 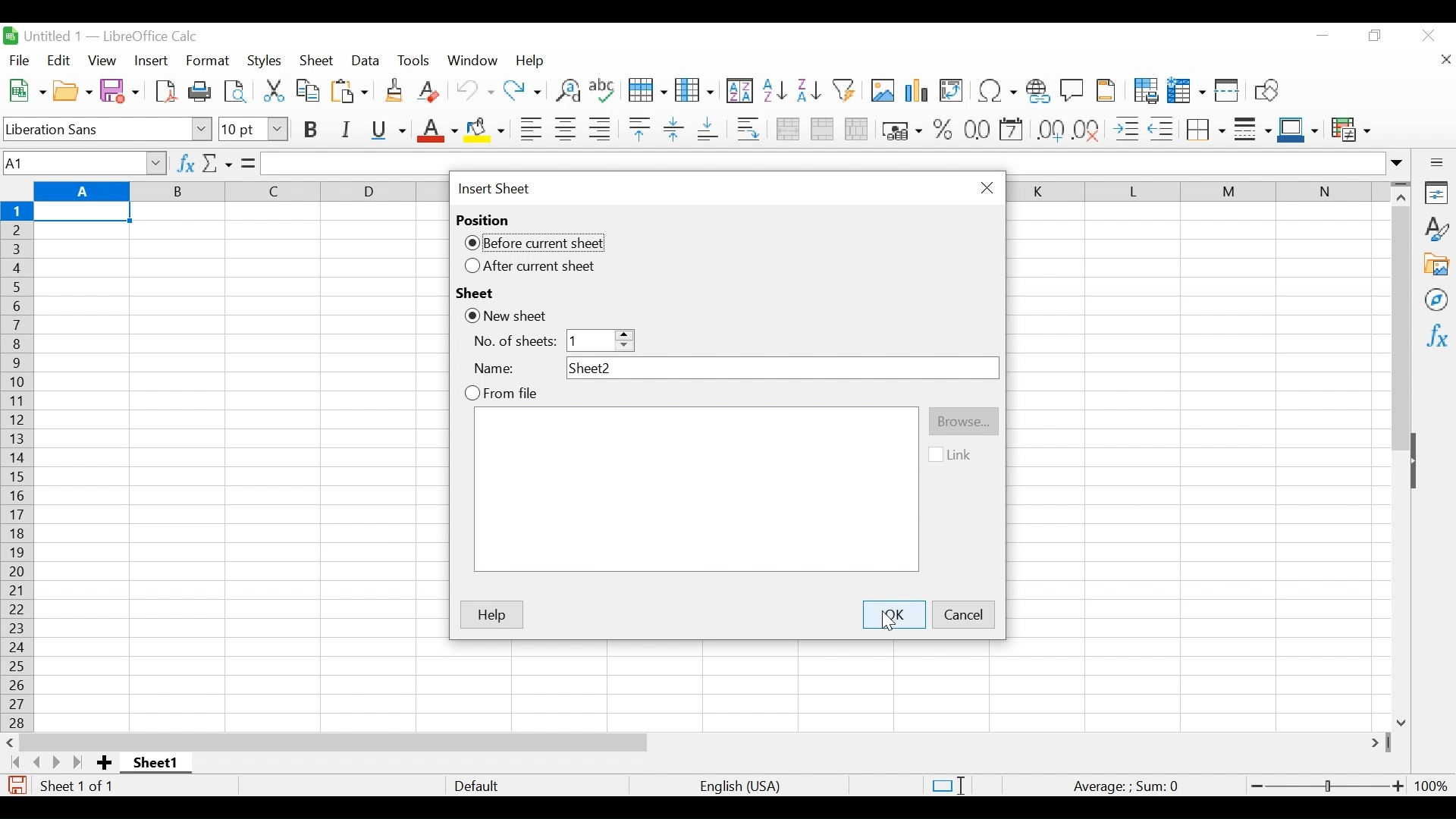 What do you see at coordinates (535, 243) in the screenshot?
I see `(un)select Before current sheet` at bounding box center [535, 243].